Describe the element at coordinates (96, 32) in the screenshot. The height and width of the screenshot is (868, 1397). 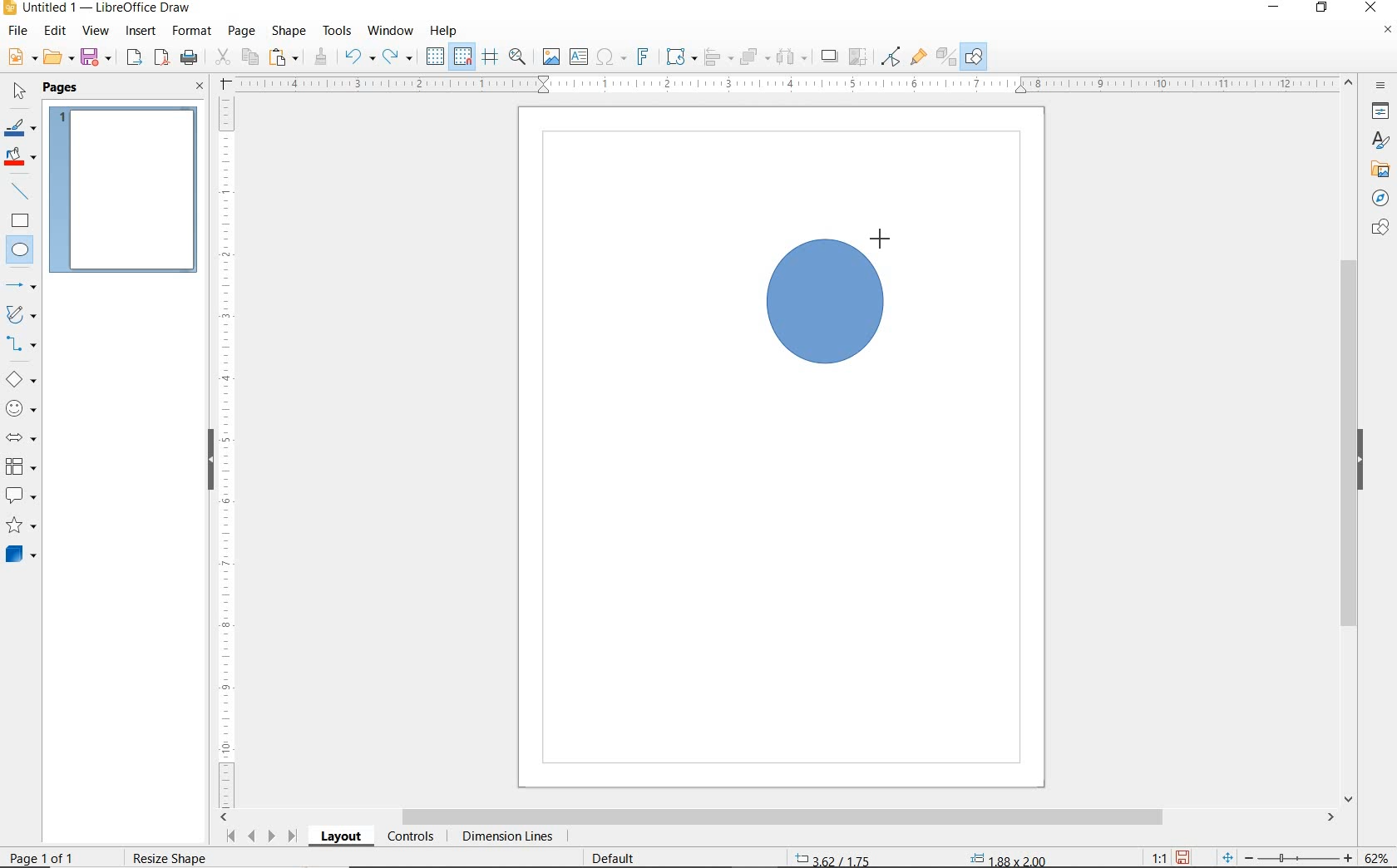
I see `VIEW` at that location.